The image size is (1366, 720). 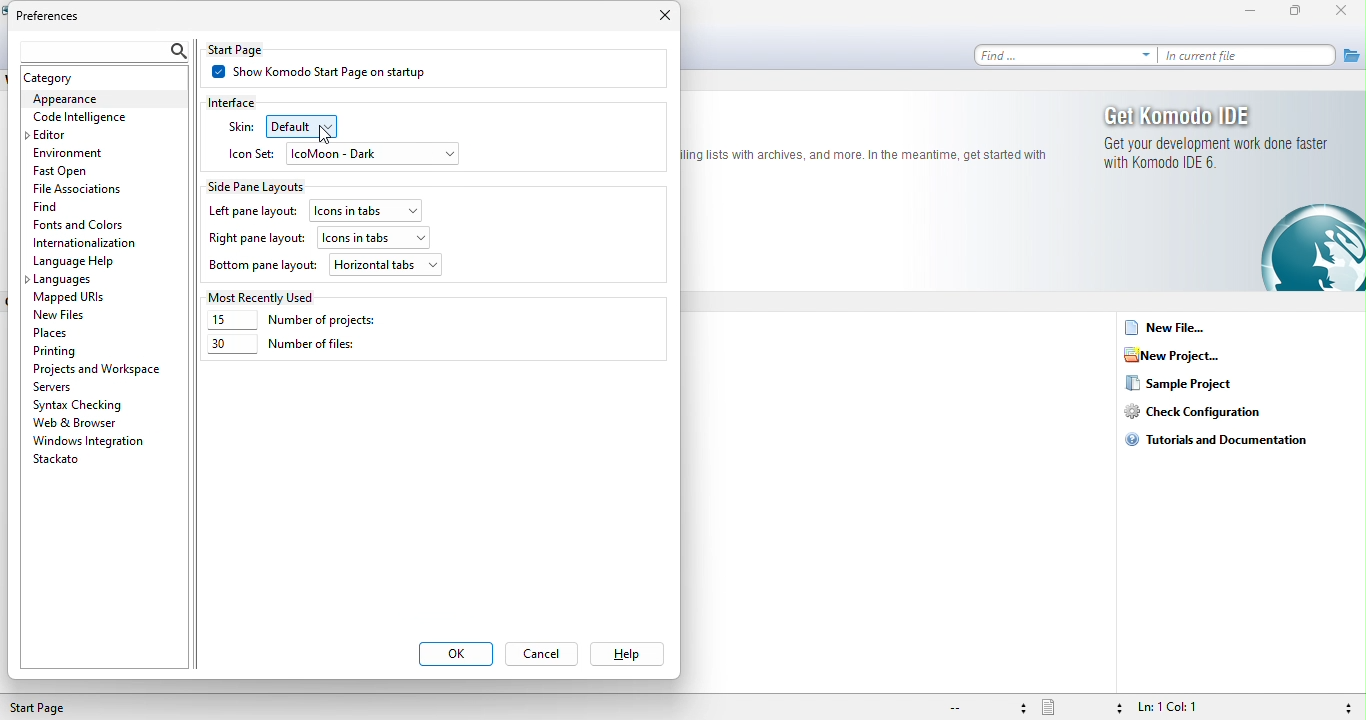 I want to click on default, so click(x=316, y=126).